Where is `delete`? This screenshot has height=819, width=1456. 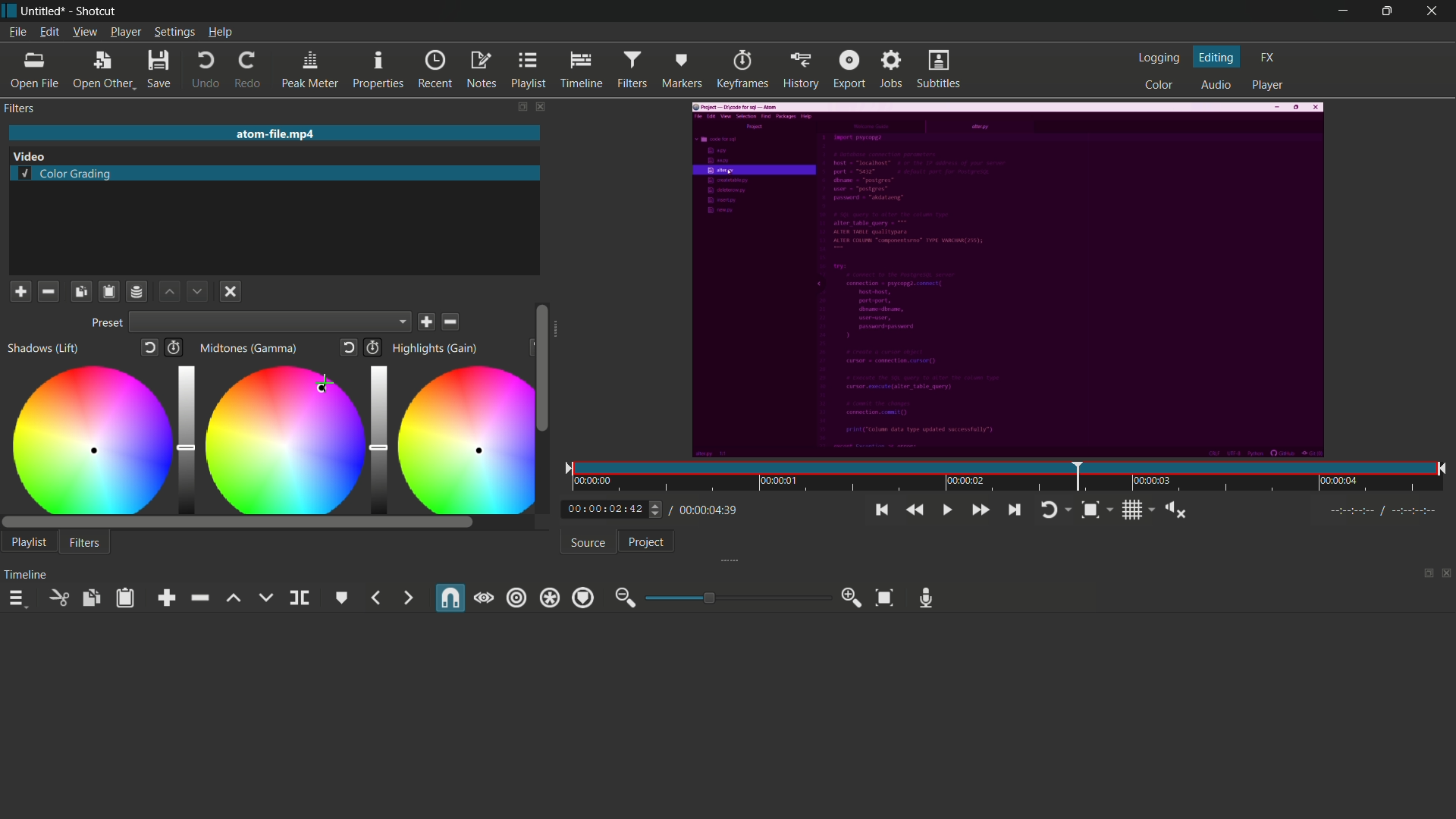
delete is located at coordinates (452, 322).